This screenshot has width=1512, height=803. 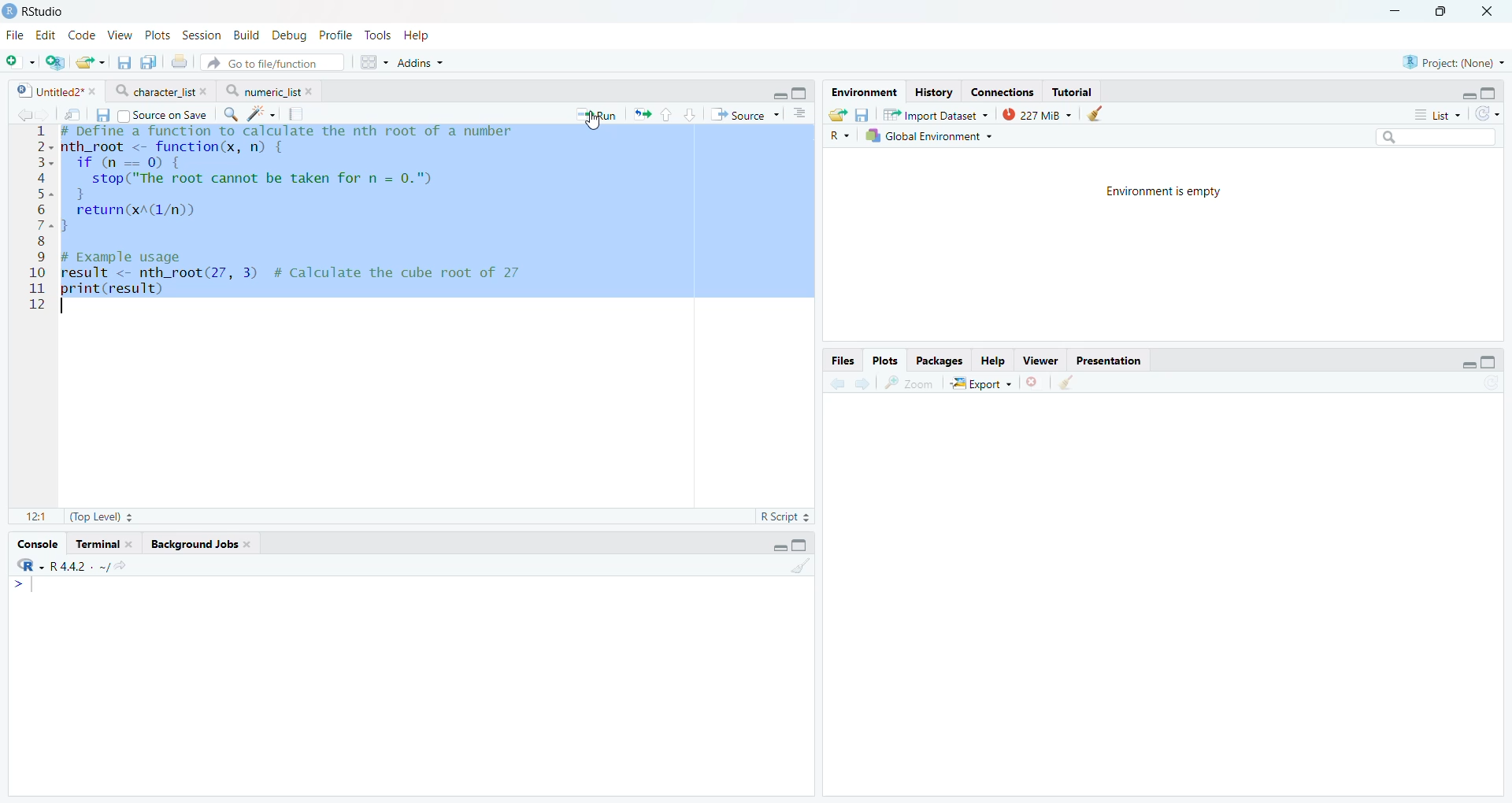 I want to click on Refresh list, so click(x=1487, y=113).